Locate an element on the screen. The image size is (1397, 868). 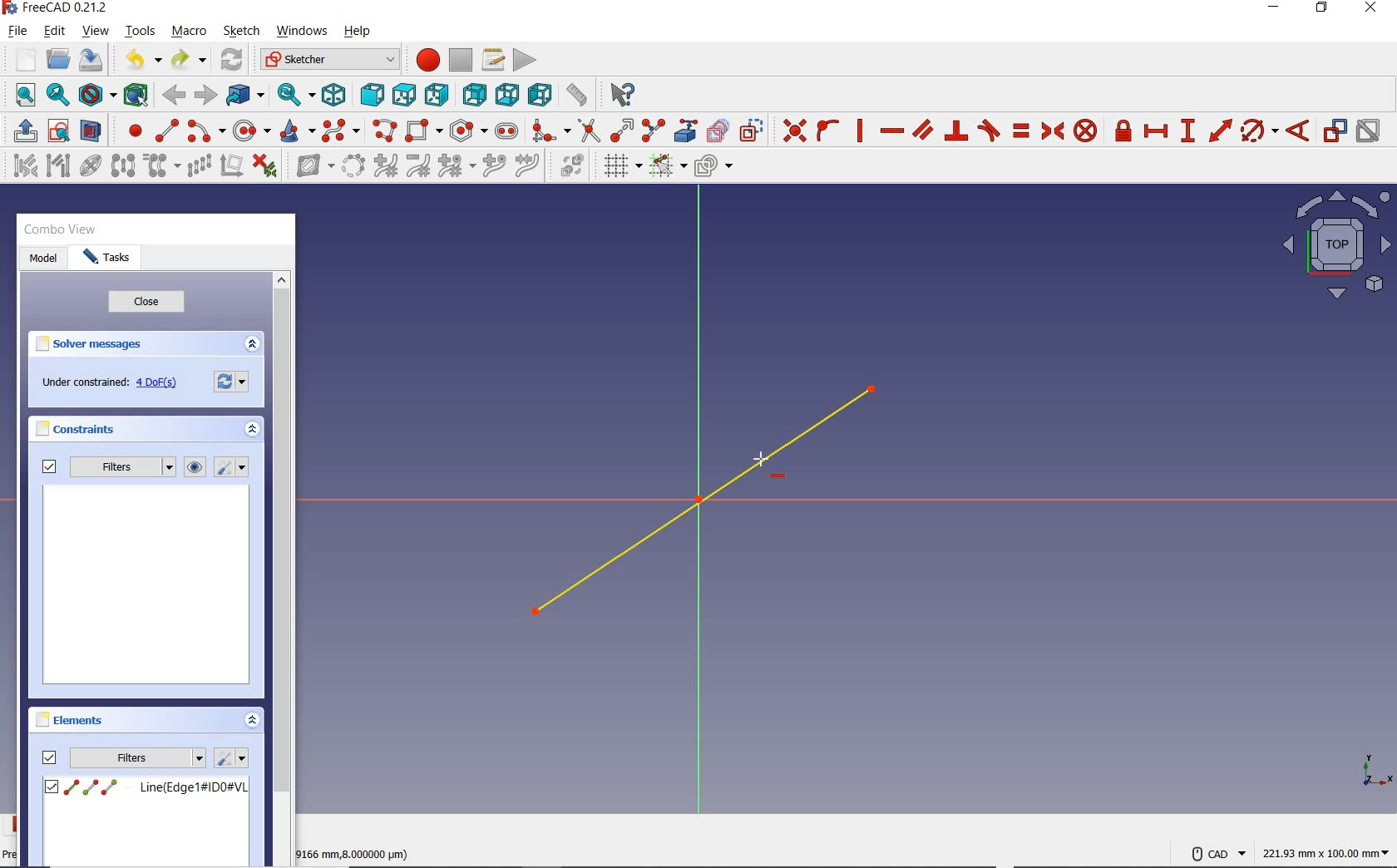
SREMOVE AXES ALIGNMENT is located at coordinates (231, 167).